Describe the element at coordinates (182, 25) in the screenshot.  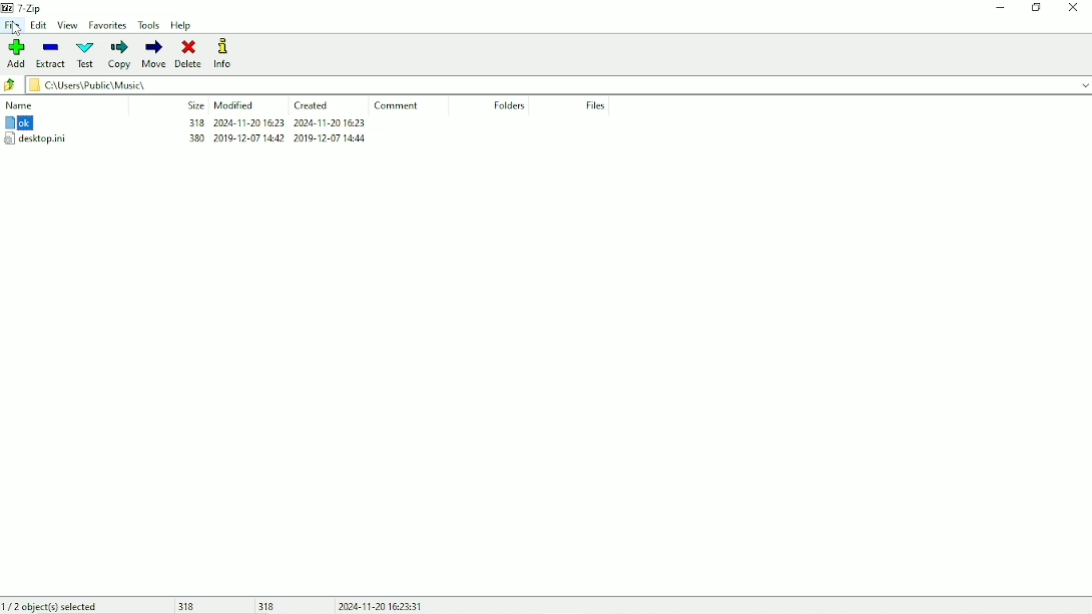
I see `Help` at that location.